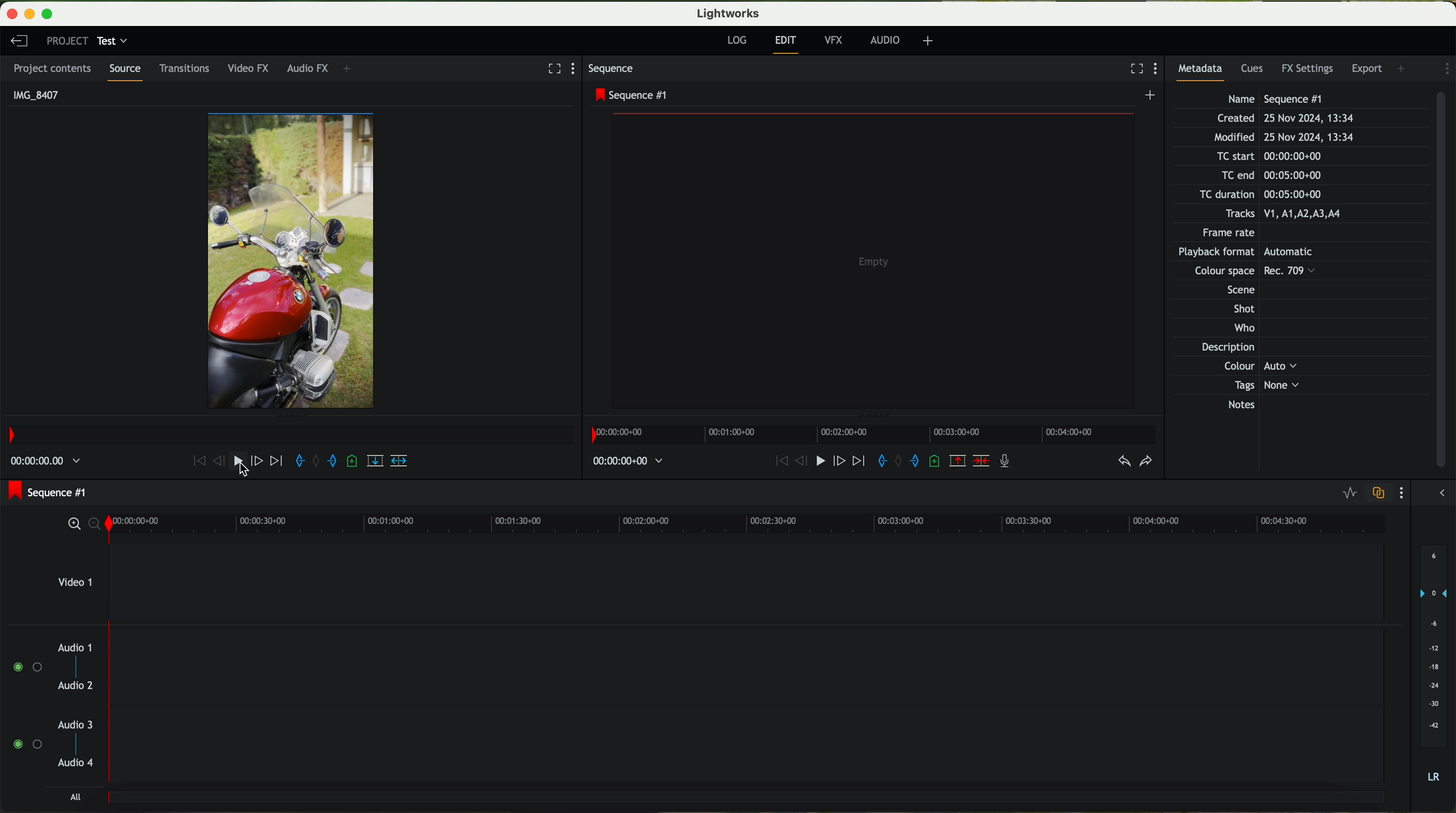 The height and width of the screenshot is (813, 1456). What do you see at coordinates (1380, 493) in the screenshot?
I see `toggle audio track sync` at bounding box center [1380, 493].